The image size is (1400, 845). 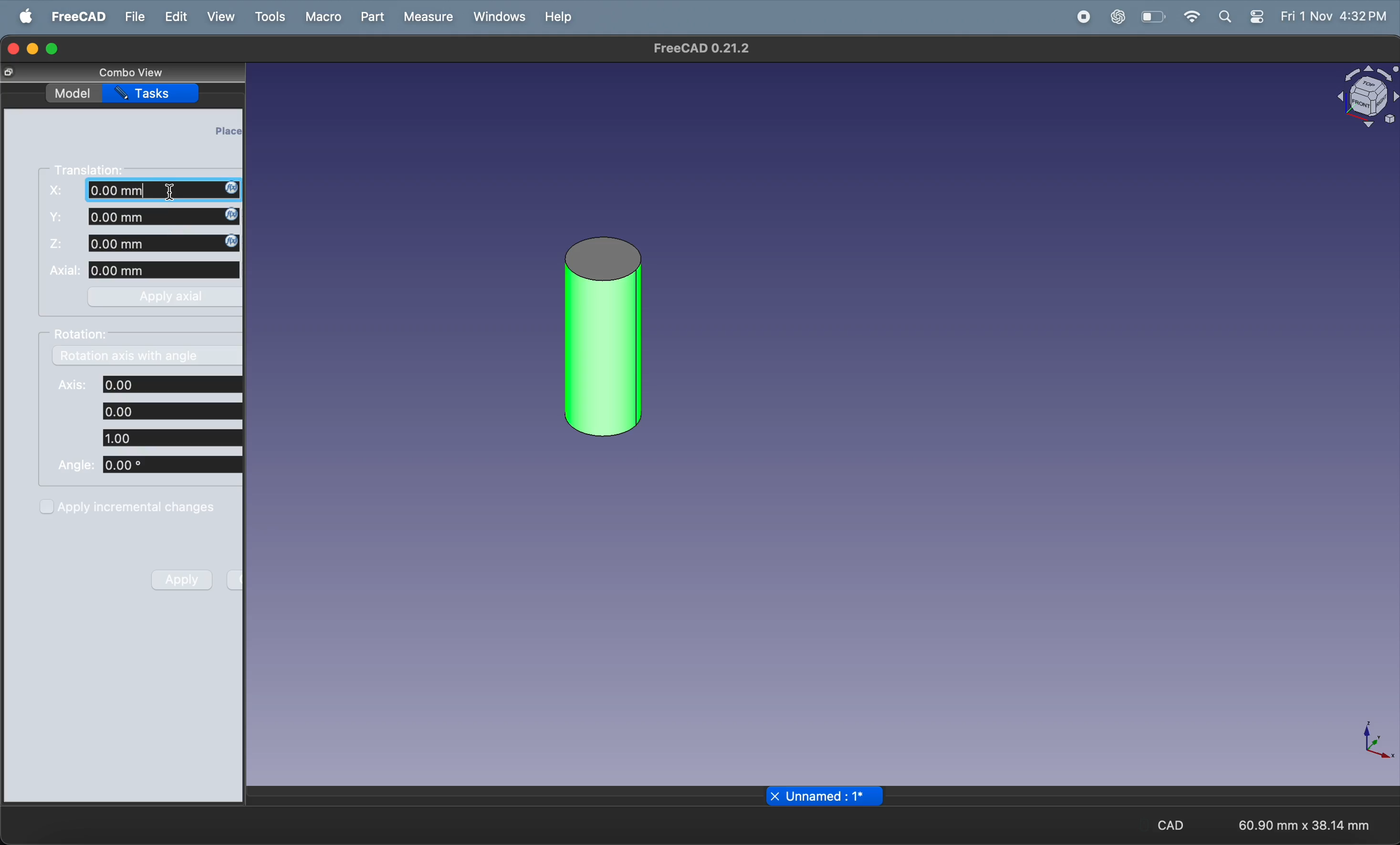 What do you see at coordinates (77, 465) in the screenshot?
I see `Angle:` at bounding box center [77, 465].